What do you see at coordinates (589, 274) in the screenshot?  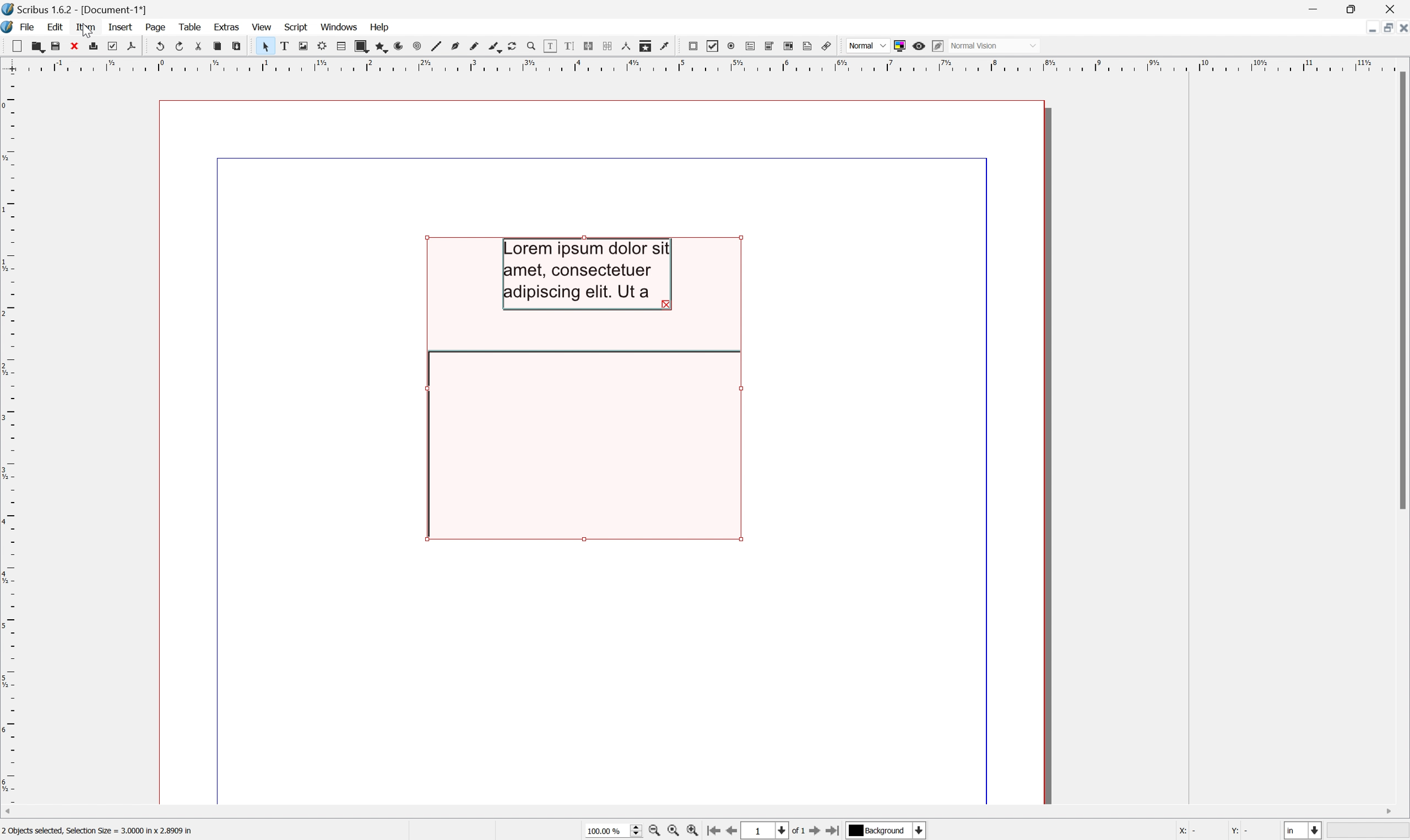 I see `Lorem ipsum dolor sit amet, consectetuer adipiscing elit, Ut a` at bounding box center [589, 274].